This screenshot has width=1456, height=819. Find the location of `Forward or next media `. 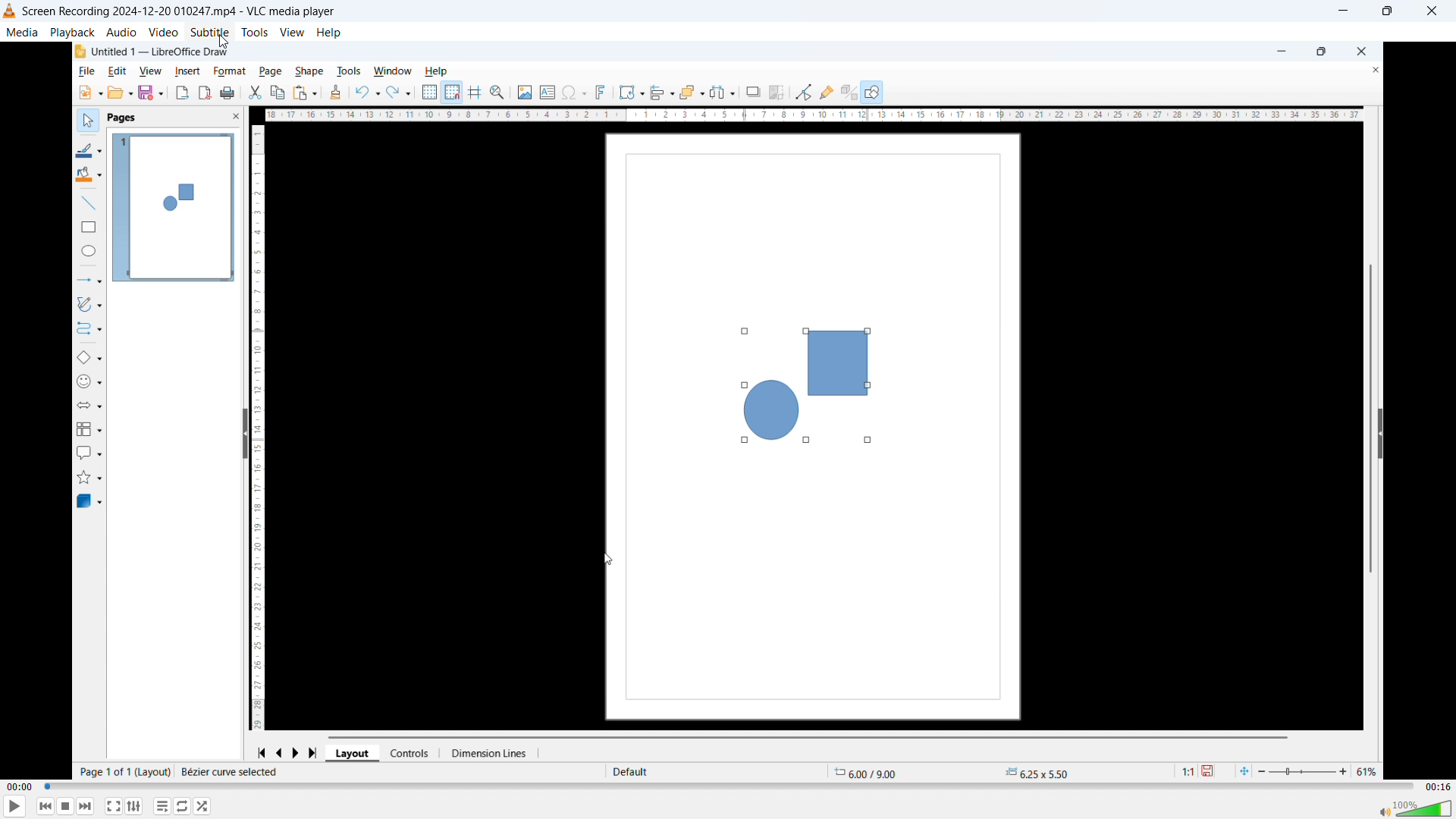

Forward or next media  is located at coordinates (86, 805).